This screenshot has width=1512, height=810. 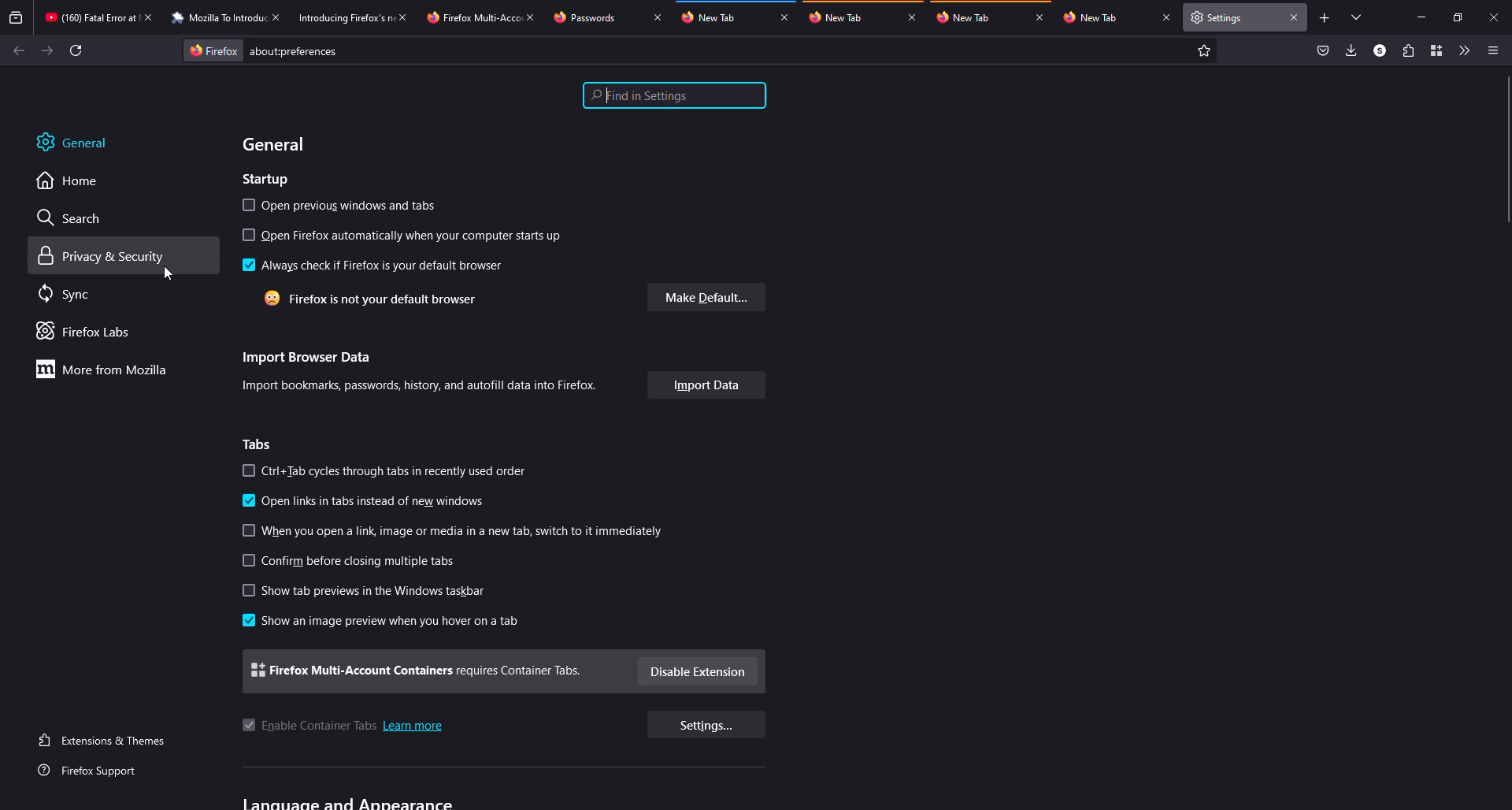 I want to click on close, so click(x=912, y=18).